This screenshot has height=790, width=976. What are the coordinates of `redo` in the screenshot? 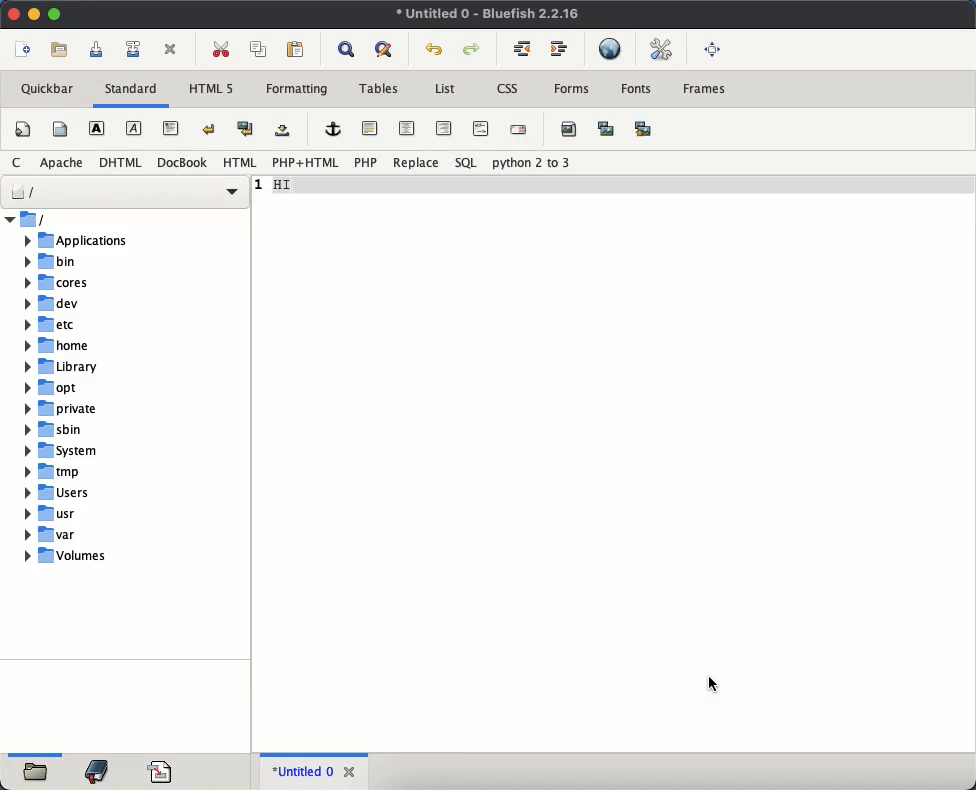 It's located at (472, 48).